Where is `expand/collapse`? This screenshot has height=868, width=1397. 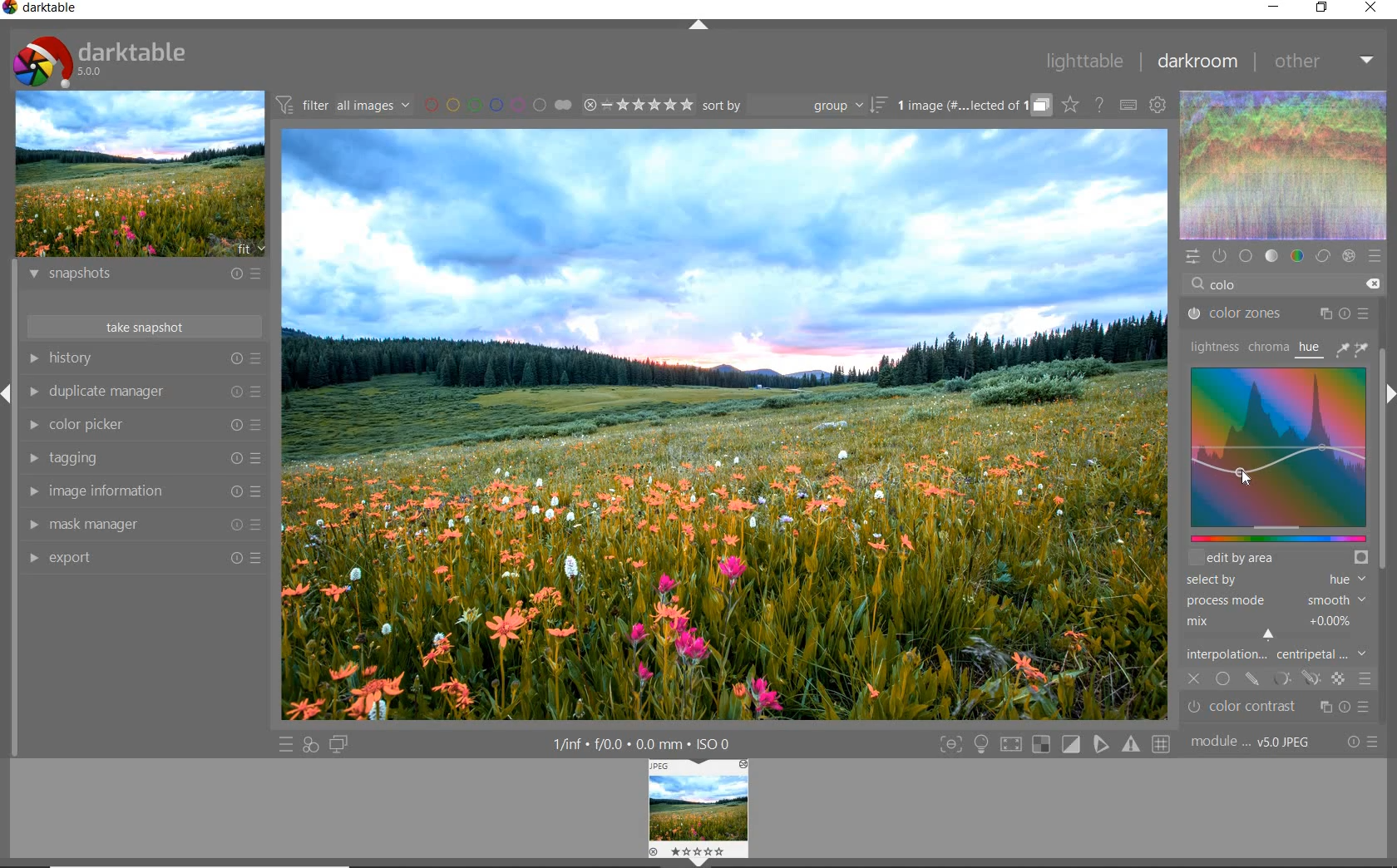
expand/collapse is located at coordinates (701, 26).